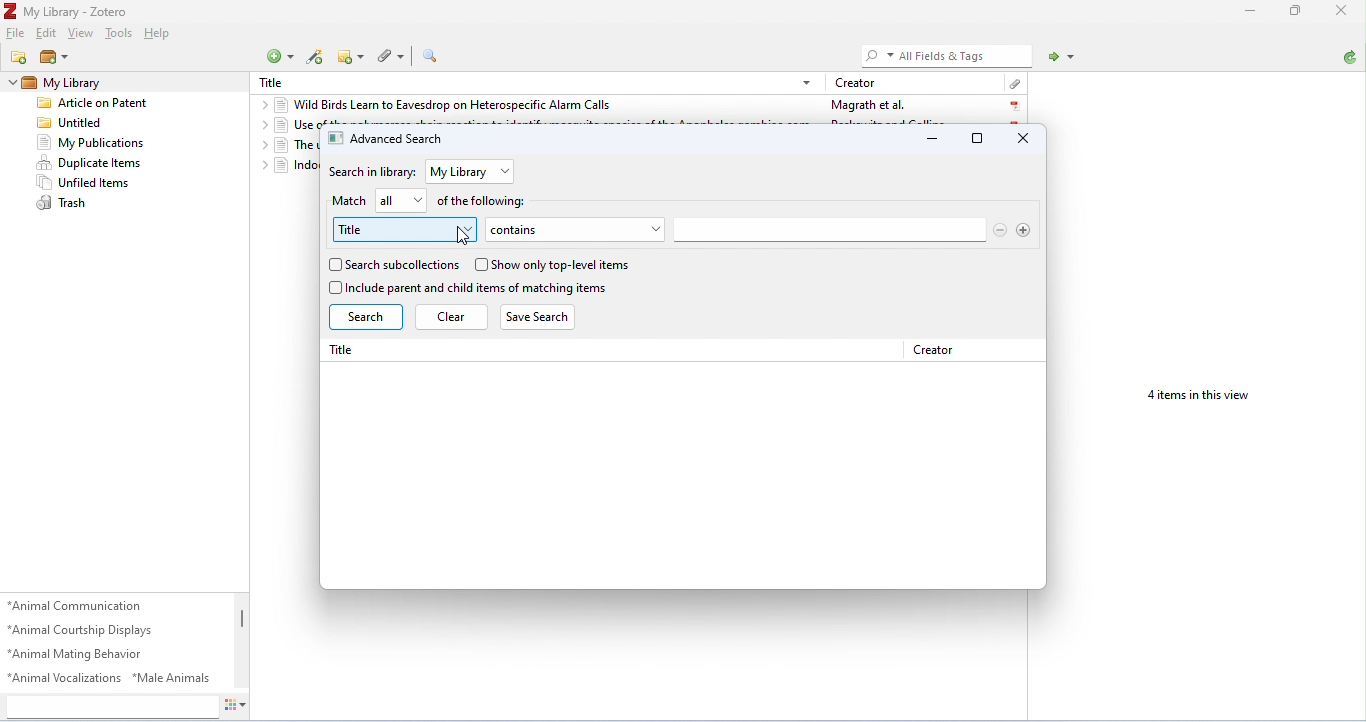  I want to click on add search option, so click(1024, 229).